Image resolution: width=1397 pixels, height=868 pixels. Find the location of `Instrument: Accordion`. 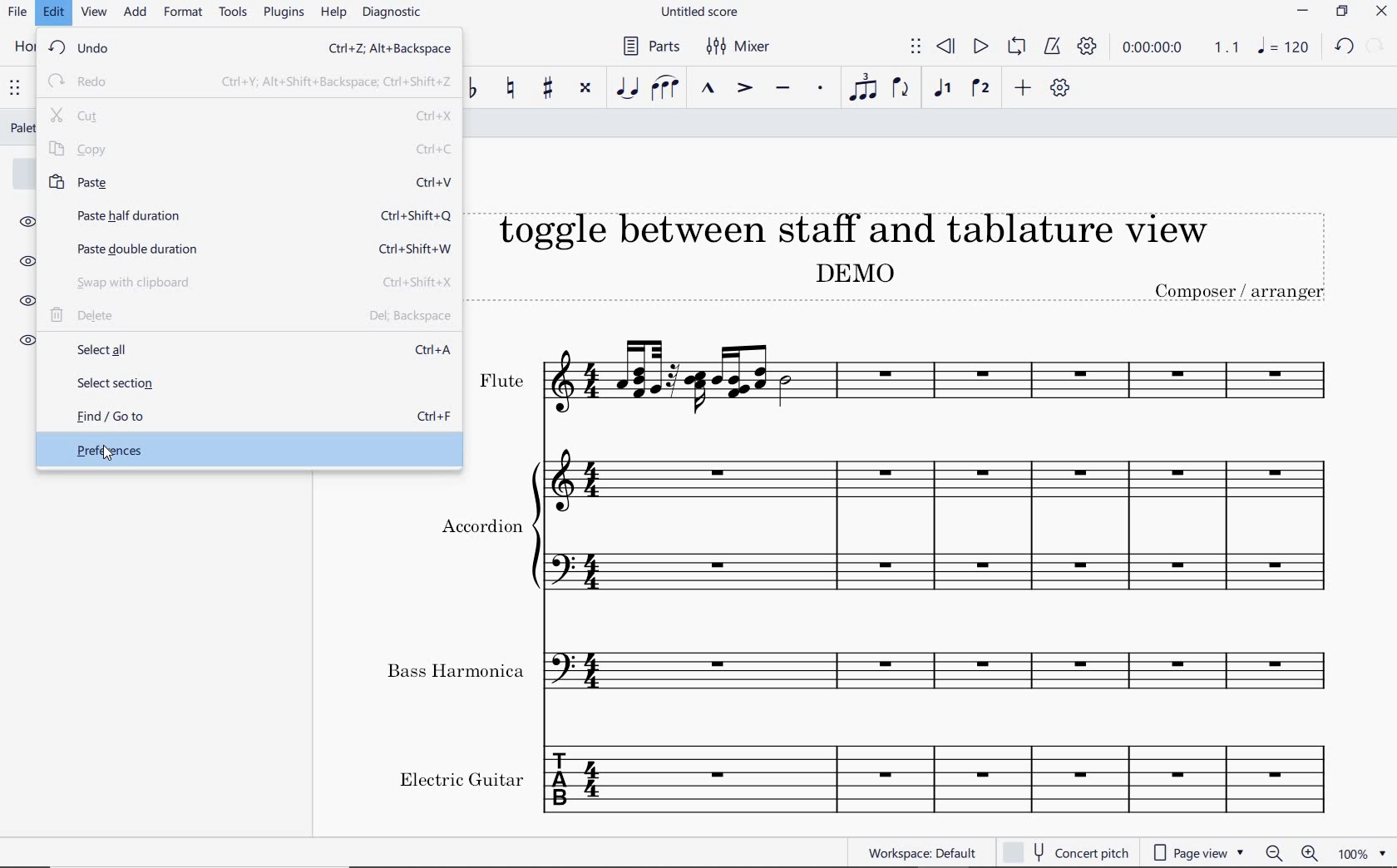

Instrument: Accordion is located at coordinates (945, 534).